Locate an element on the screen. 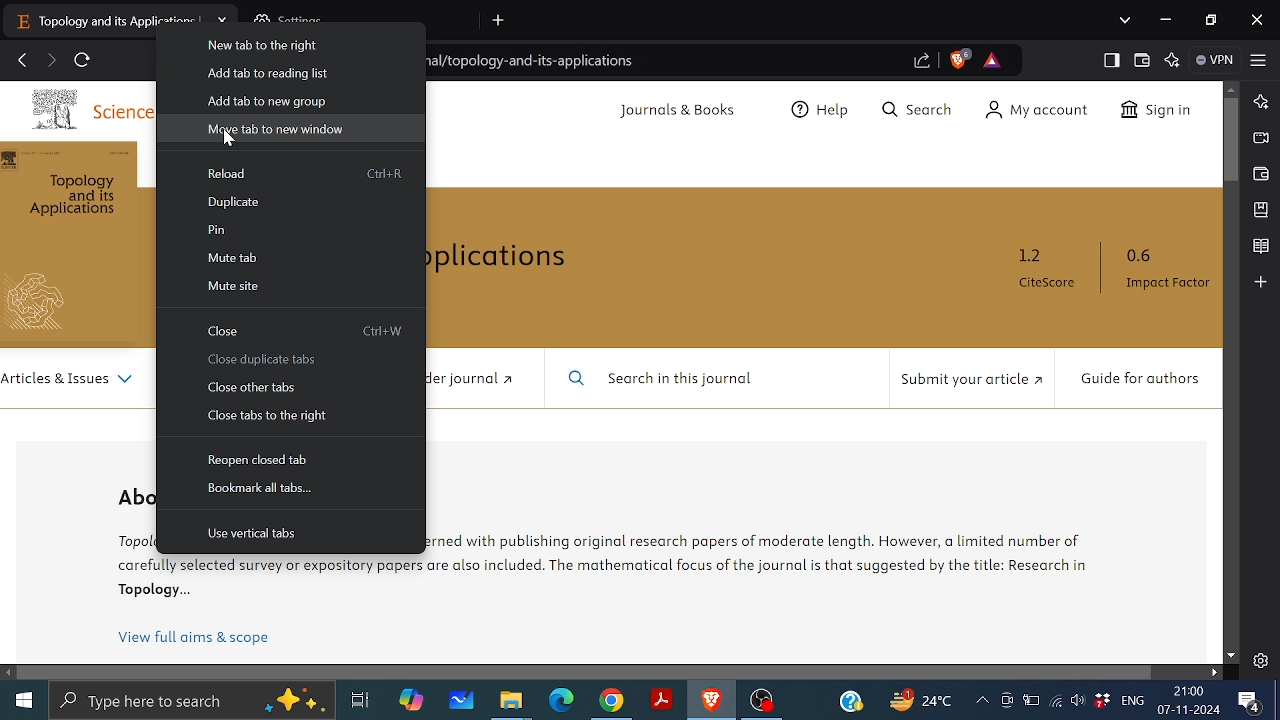 The height and width of the screenshot is (720, 1280). i
Citescore. is located at coordinates (1047, 271).